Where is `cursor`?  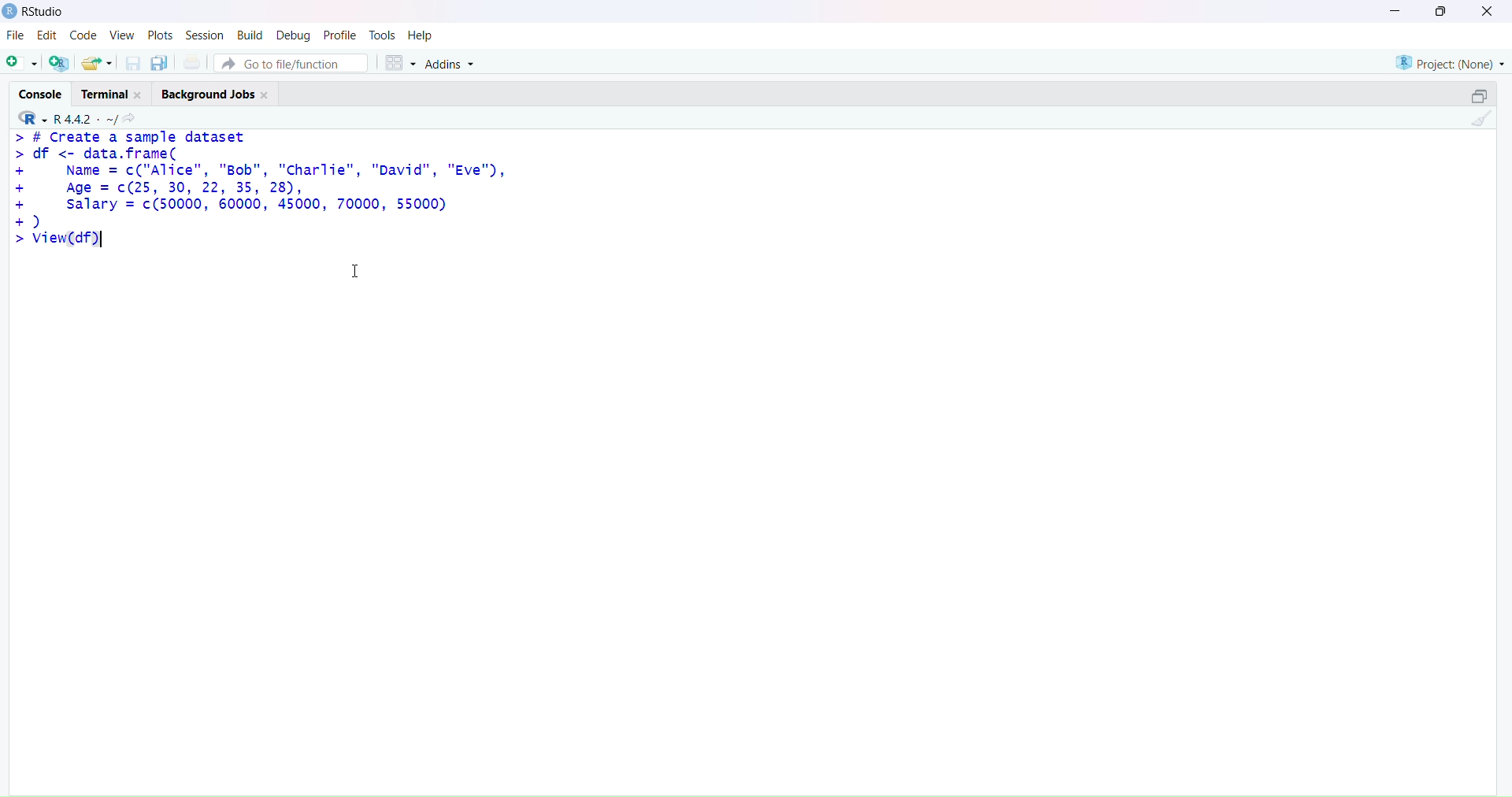 cursor is located at coordinates (357, 271).